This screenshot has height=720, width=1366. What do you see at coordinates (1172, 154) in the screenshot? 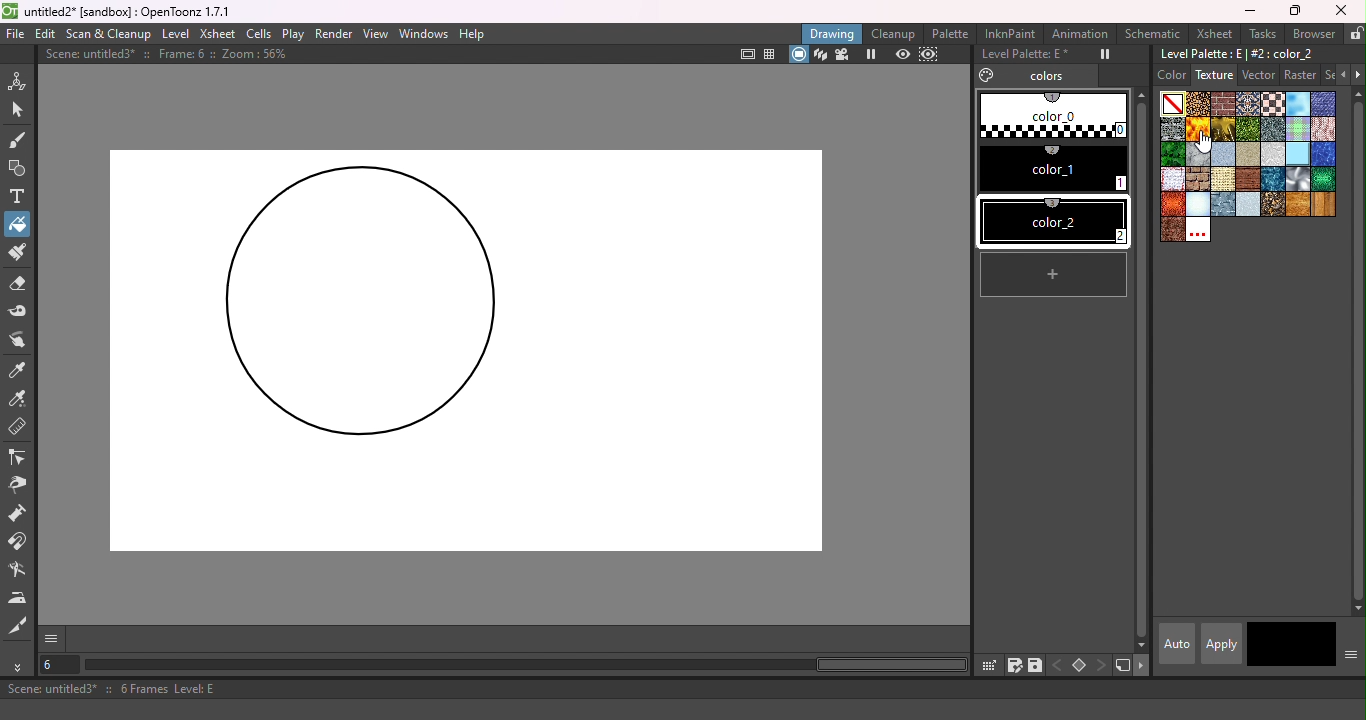
I see `leaves.bmp` at bounding box center [1172, 154].